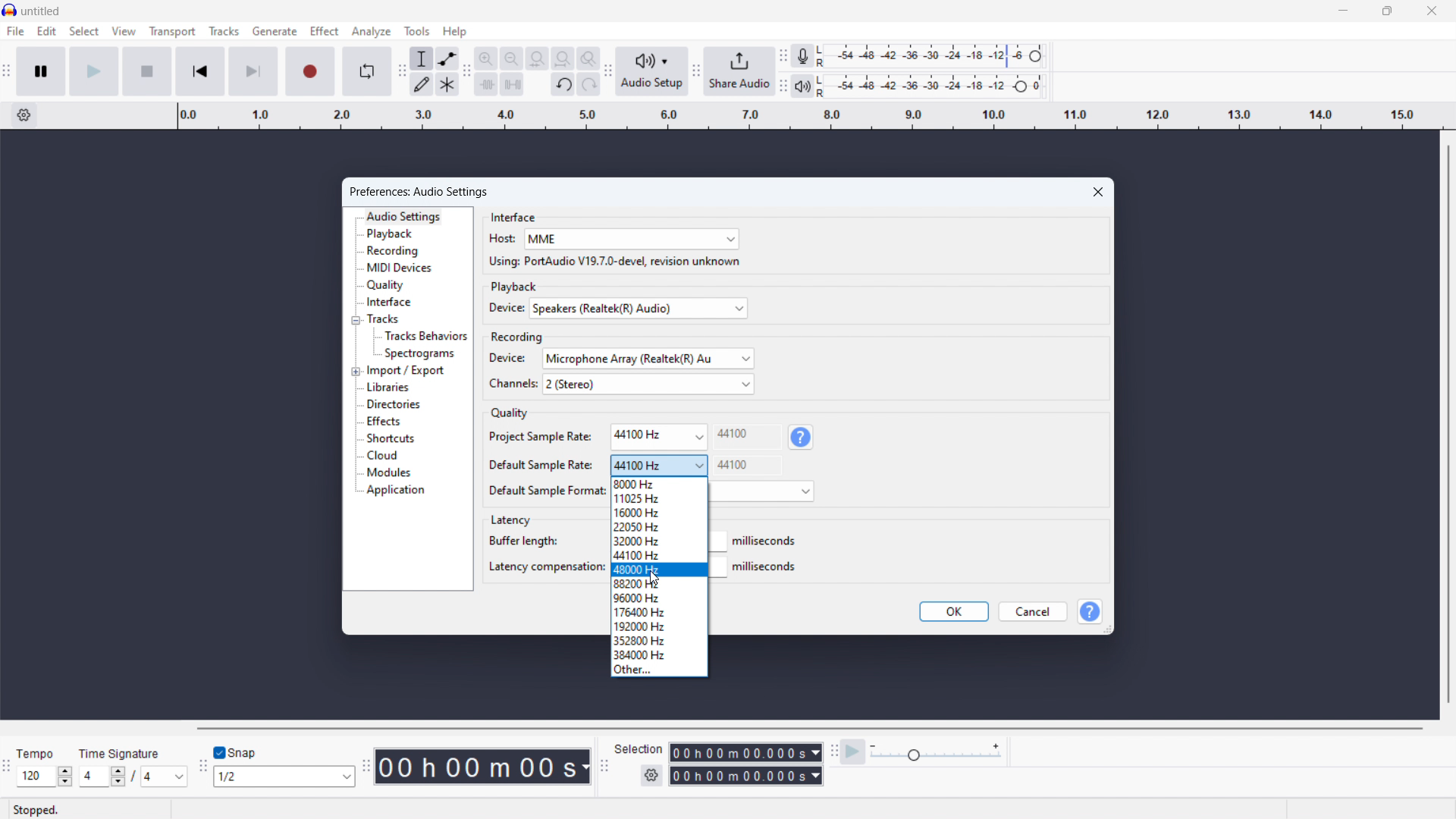 Image resolution: width=1456 pixels, height=819 pixels. What do you see at coordinates (423, 191) in the screenshot?
I see `preferences: audio settings` at bounding box center [423, 191].